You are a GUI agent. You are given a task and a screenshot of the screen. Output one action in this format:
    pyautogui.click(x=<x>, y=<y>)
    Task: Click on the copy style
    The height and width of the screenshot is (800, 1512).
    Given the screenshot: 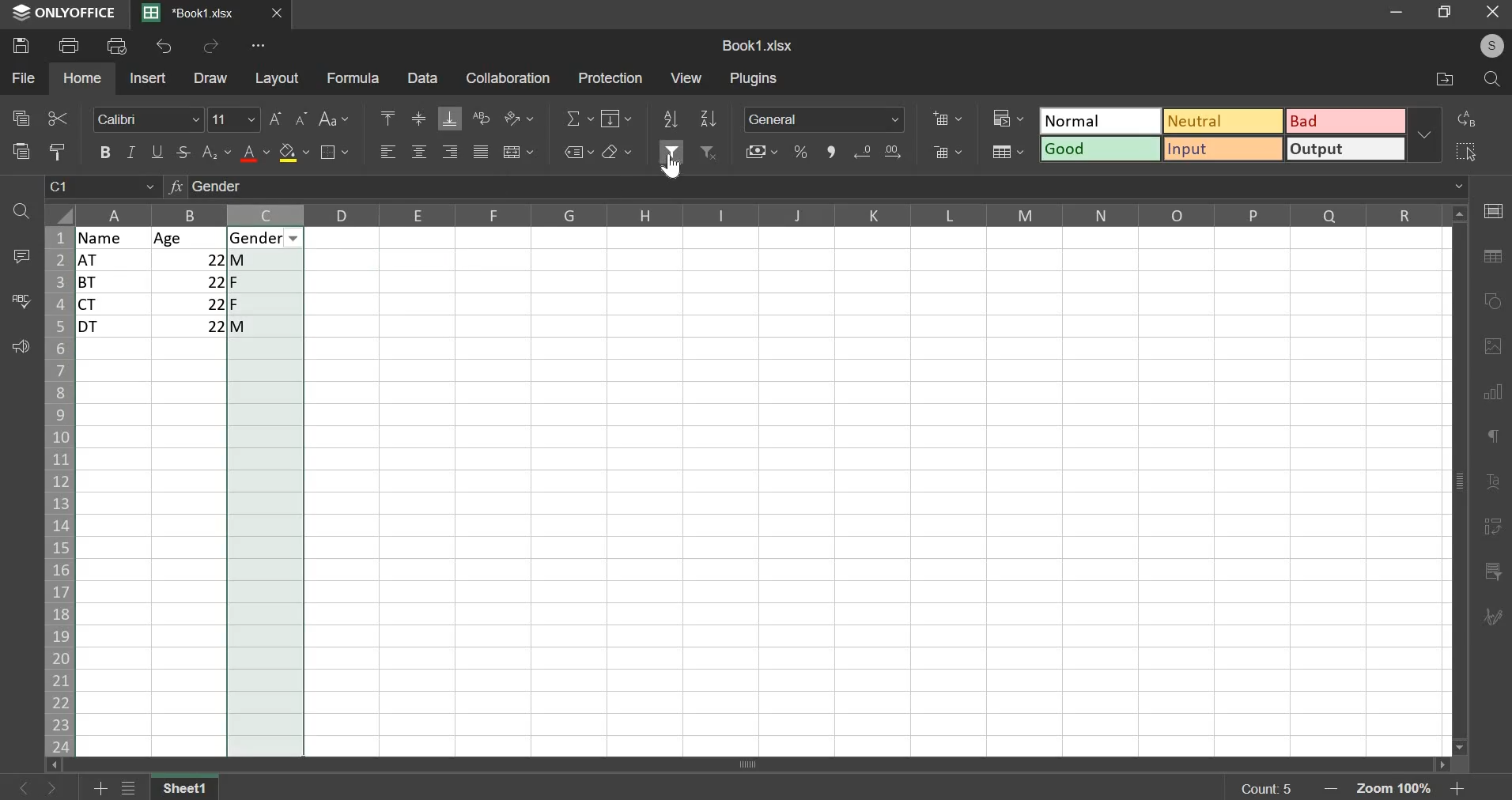 What is the action you would take?
    pyautogui.click(x=58, y=151)
    